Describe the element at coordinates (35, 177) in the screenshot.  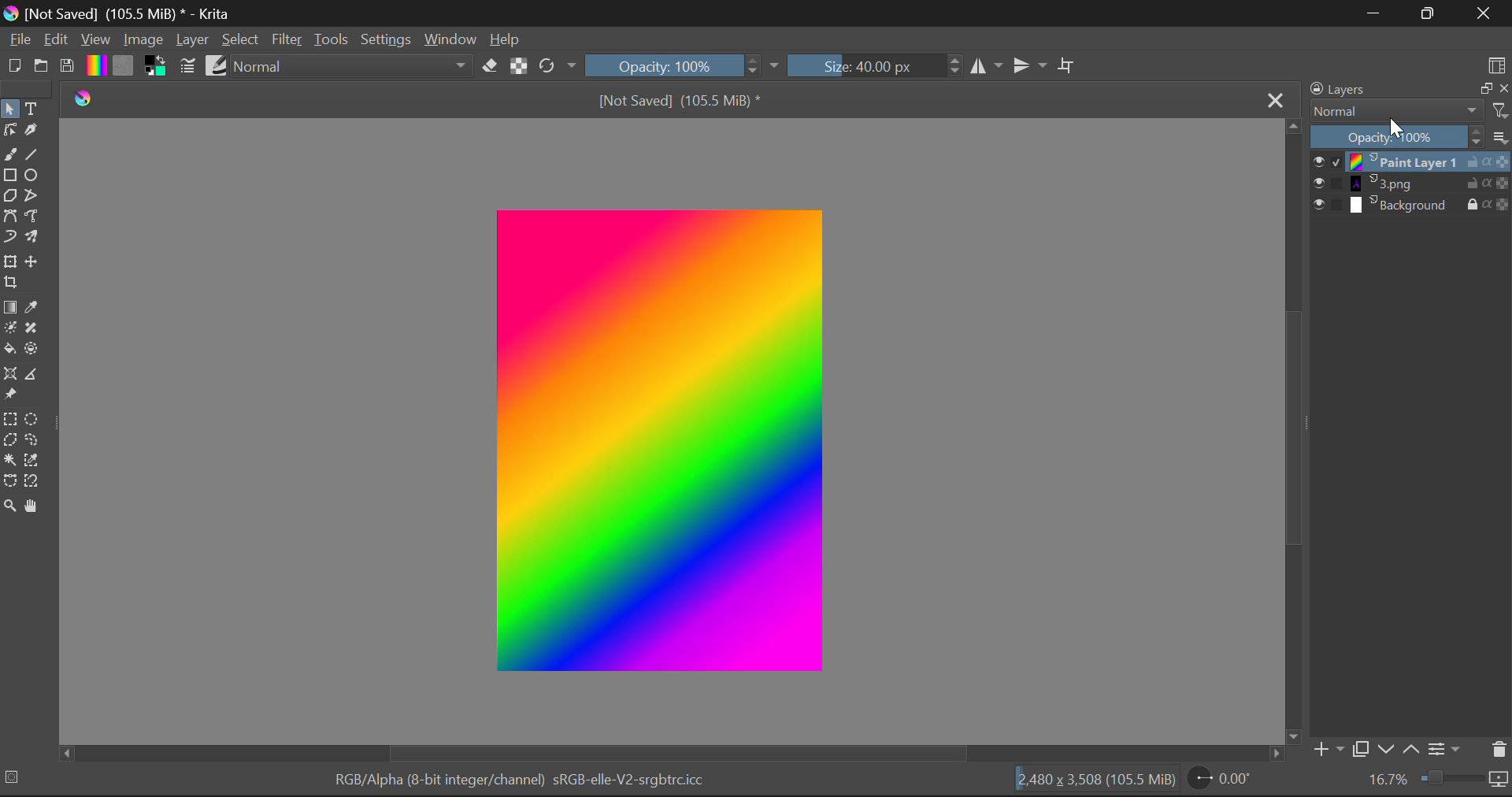
I see `Elipses` at that location.